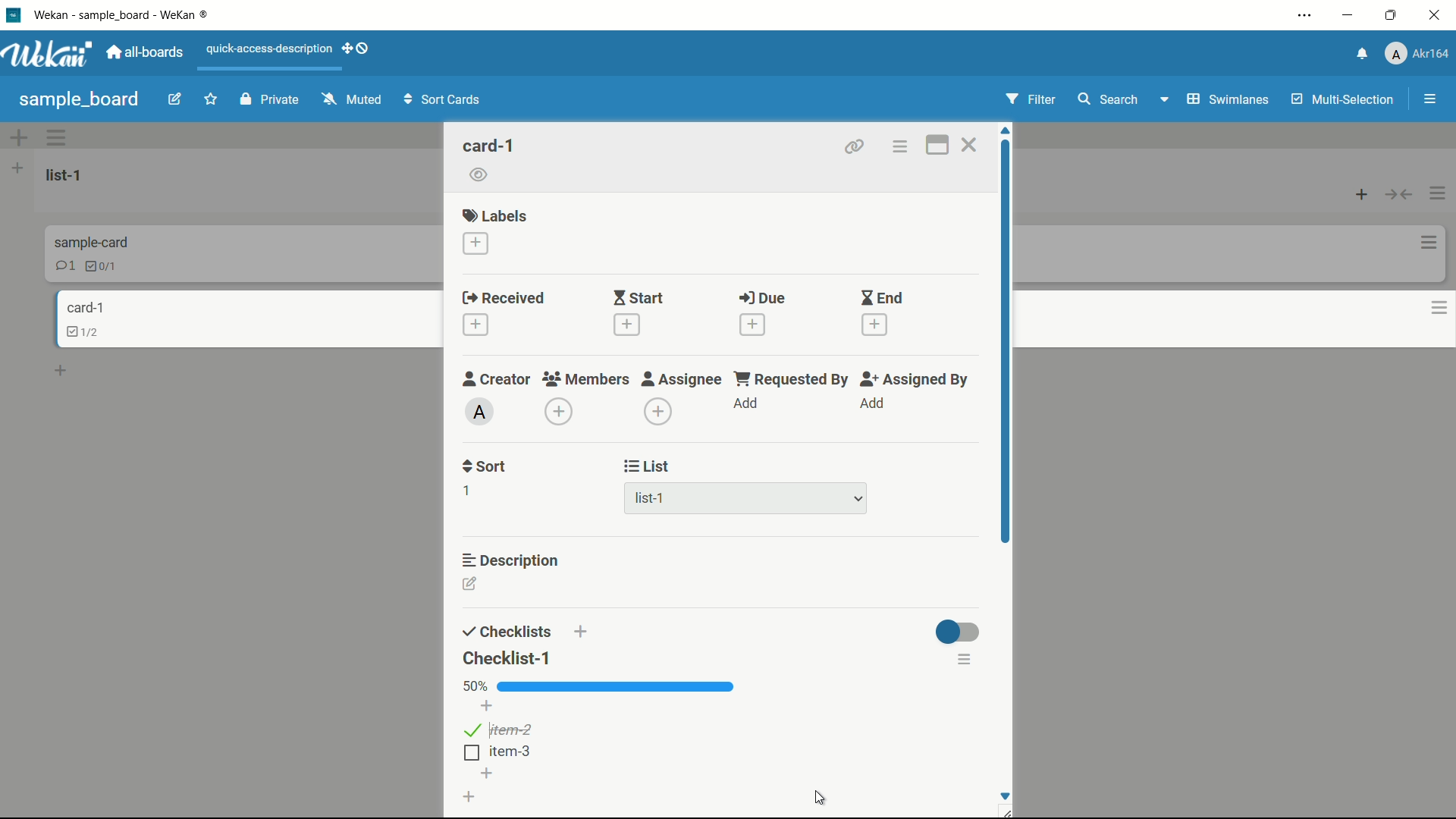 The image size is (1456, 819). What do you see at coordinates (1357, 55) in the screenshot?
I see `notifications` at bounding box center [1357, 55].